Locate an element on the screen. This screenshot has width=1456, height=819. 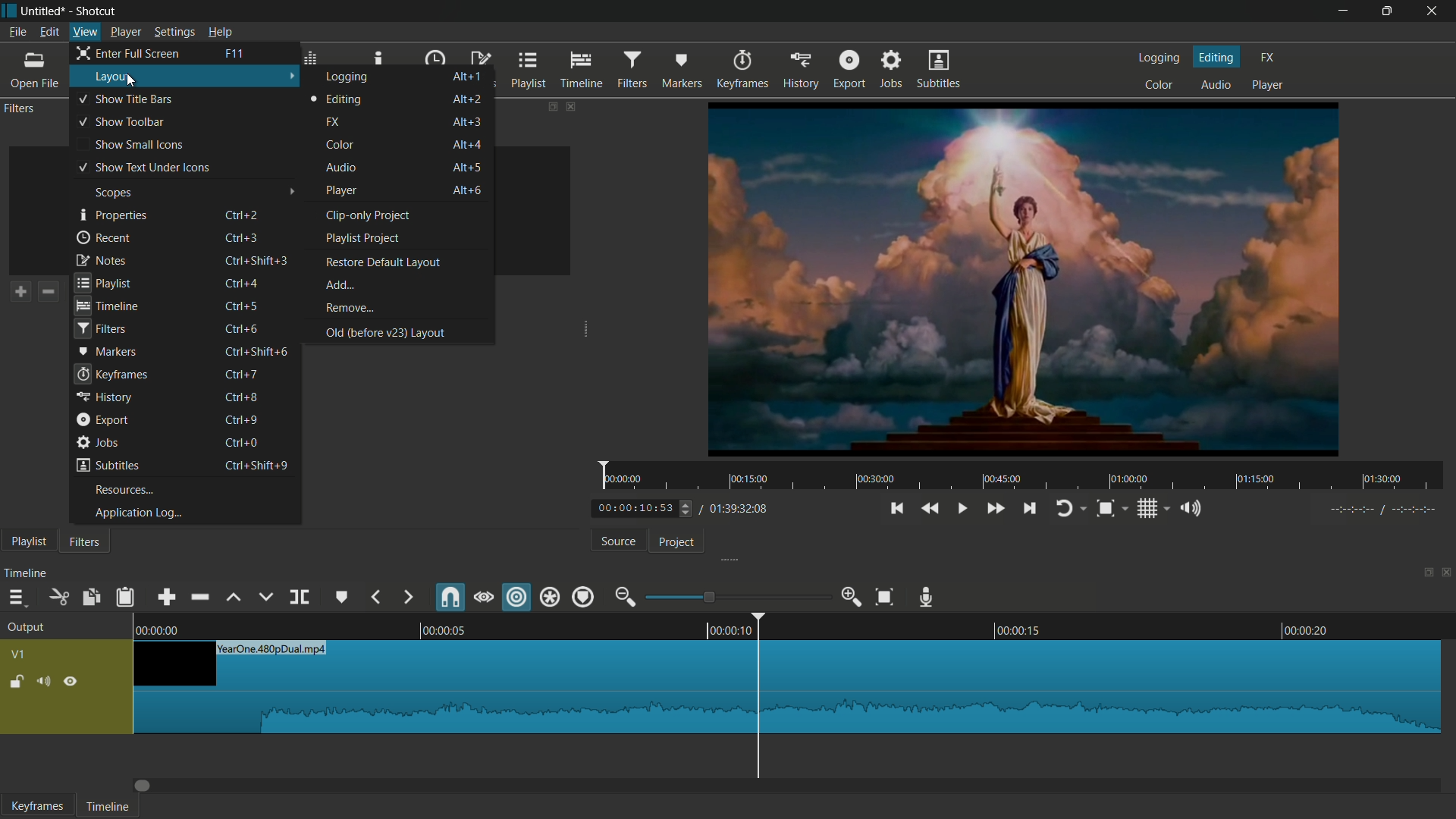
view menu is located at coordinates (86, 32).